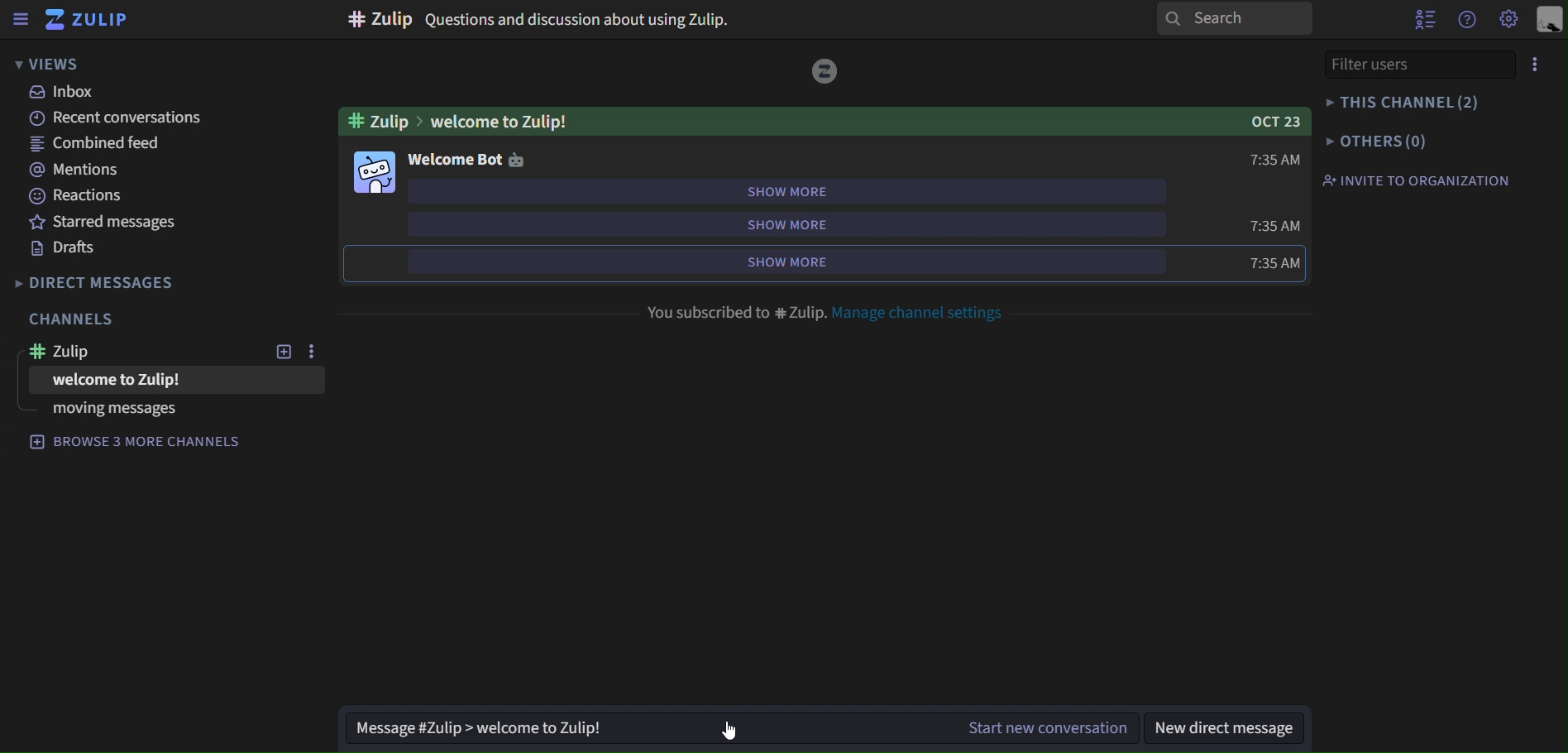  Describe the element at coordinates (138, 381) in the screenshot. I see `welcome to zulip` at that location.